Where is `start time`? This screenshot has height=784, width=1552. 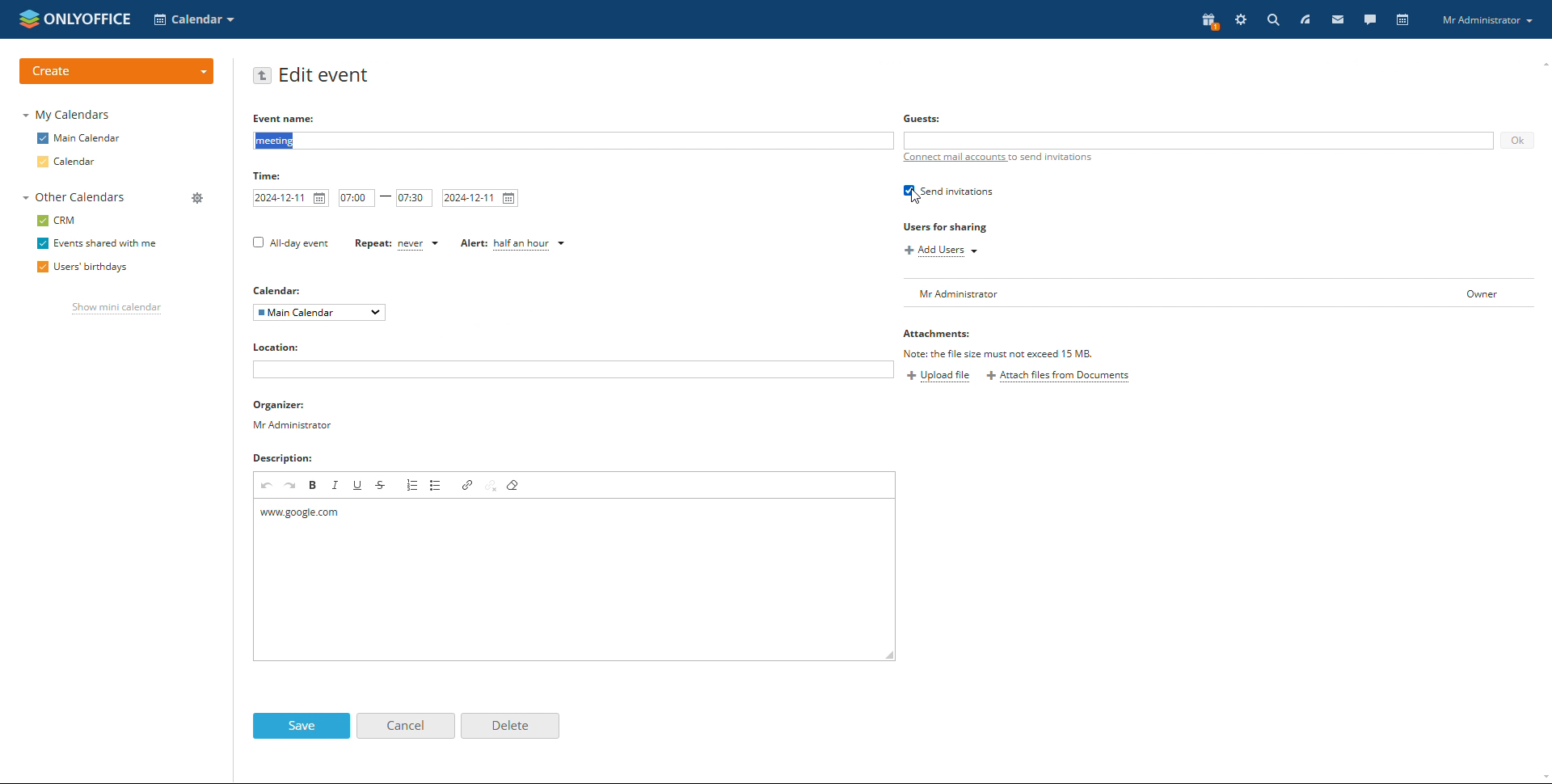
start time is located at coordinates (357, 198).